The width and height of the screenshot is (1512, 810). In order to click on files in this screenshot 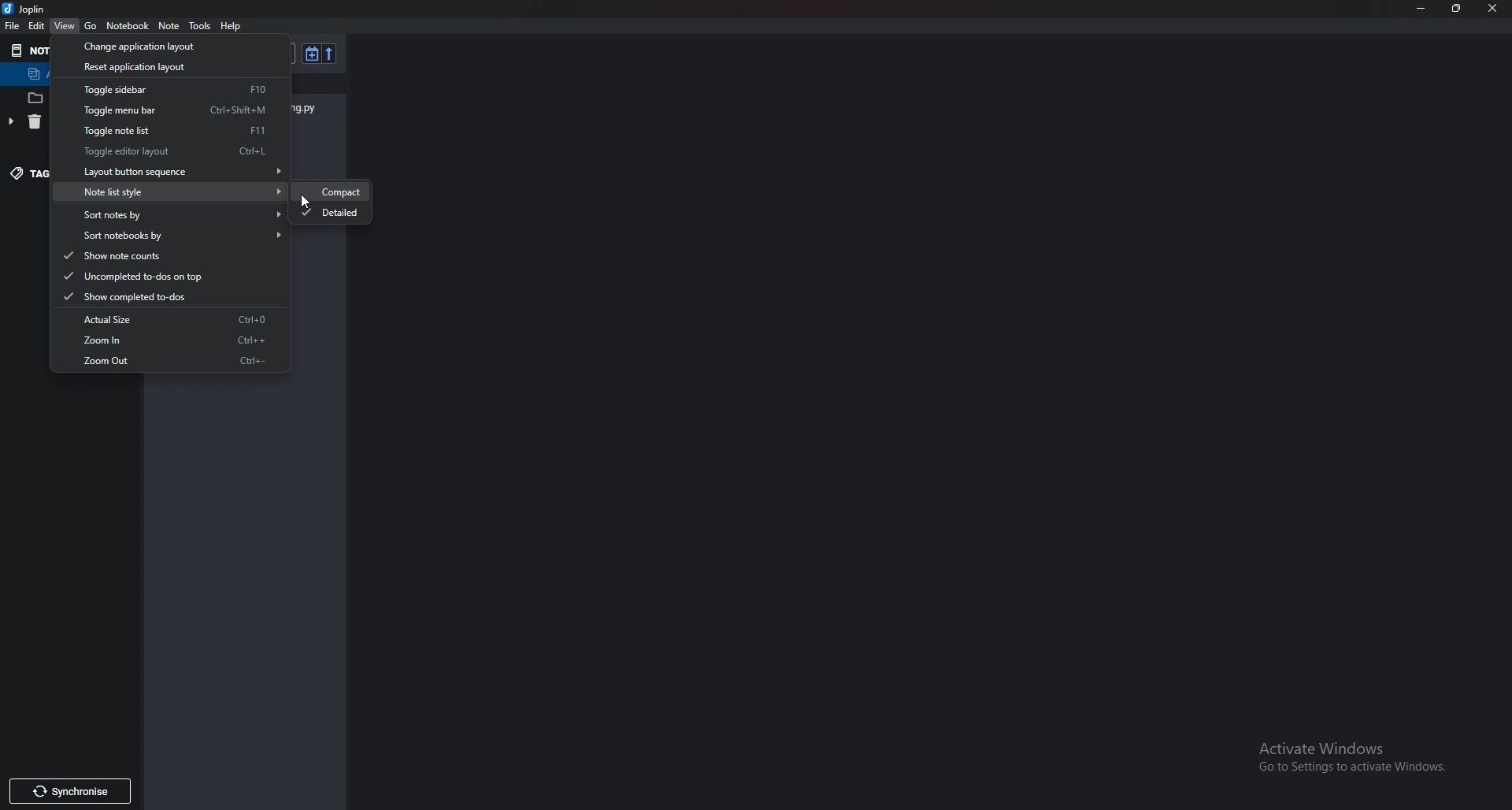, I will do `click(34, 96)`.